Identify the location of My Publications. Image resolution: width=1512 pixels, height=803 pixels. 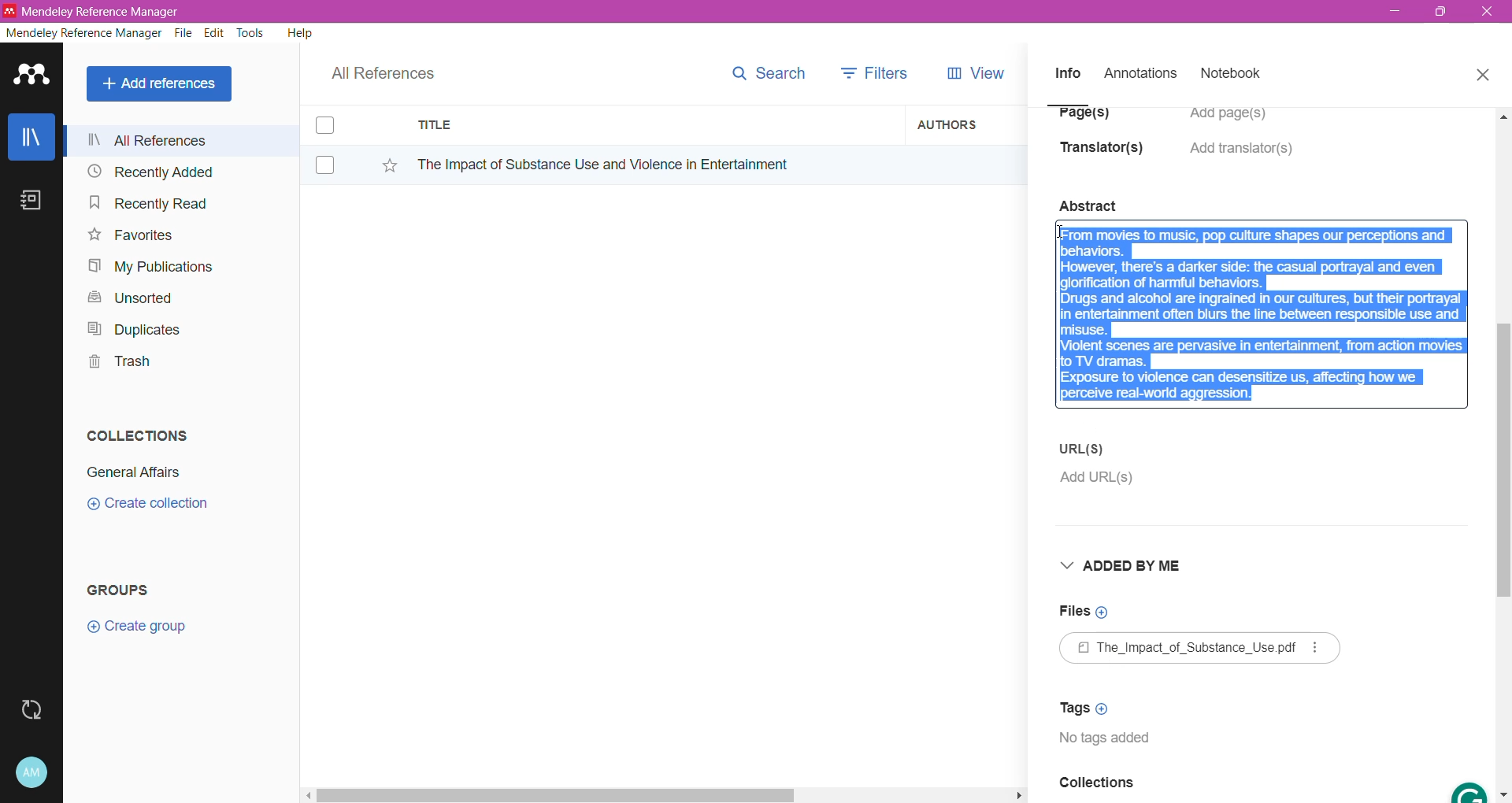
(149, 267).